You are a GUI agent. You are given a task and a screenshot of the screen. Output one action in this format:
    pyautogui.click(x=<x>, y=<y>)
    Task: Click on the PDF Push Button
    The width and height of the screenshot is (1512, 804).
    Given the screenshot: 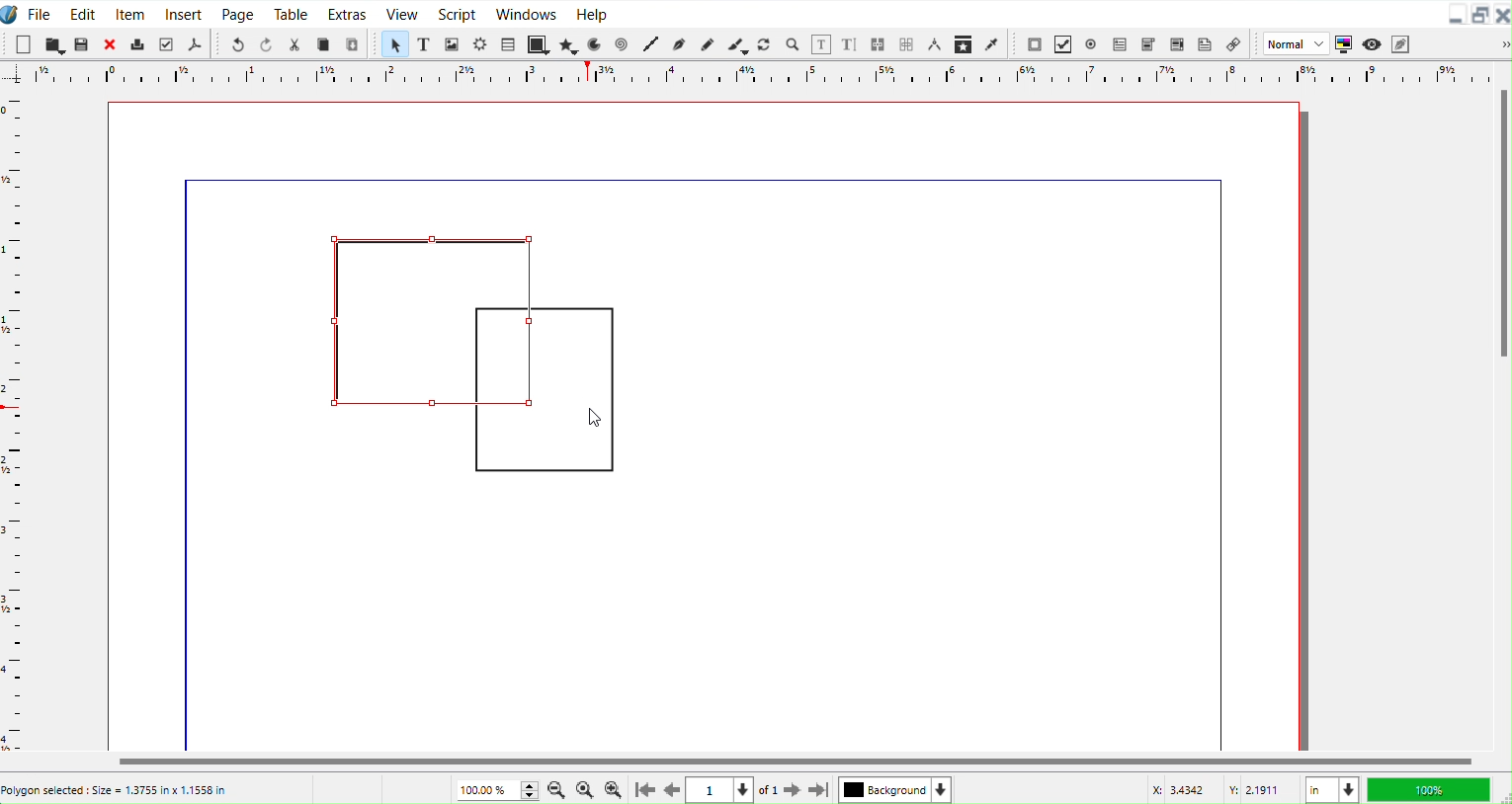 What is the action you would take?
    pyautogui.click(x=1034, y=44)
    